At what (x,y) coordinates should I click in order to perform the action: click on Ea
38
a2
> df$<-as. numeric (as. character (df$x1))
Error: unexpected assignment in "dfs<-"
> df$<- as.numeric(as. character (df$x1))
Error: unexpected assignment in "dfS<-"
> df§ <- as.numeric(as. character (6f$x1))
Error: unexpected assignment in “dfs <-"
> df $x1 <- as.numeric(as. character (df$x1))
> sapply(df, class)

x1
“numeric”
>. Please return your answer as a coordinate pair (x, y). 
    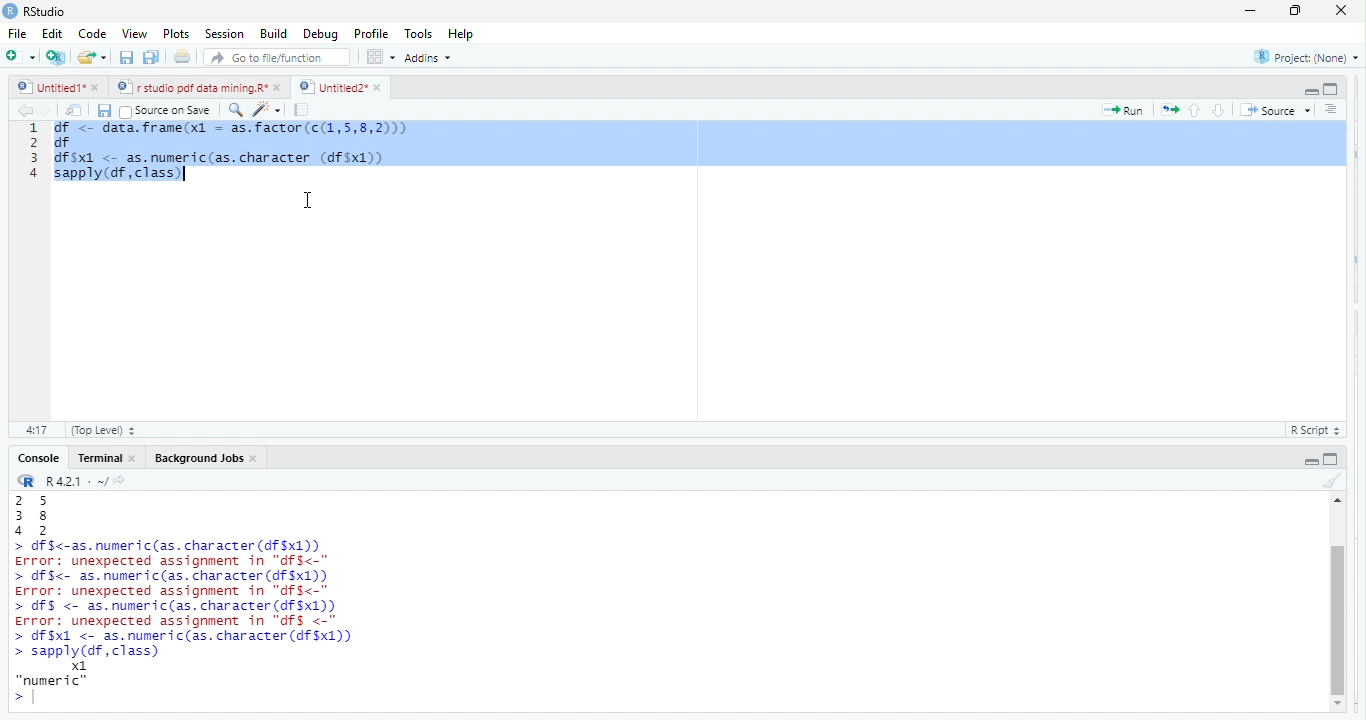
    Looking at the image, I should click on (233, 602).